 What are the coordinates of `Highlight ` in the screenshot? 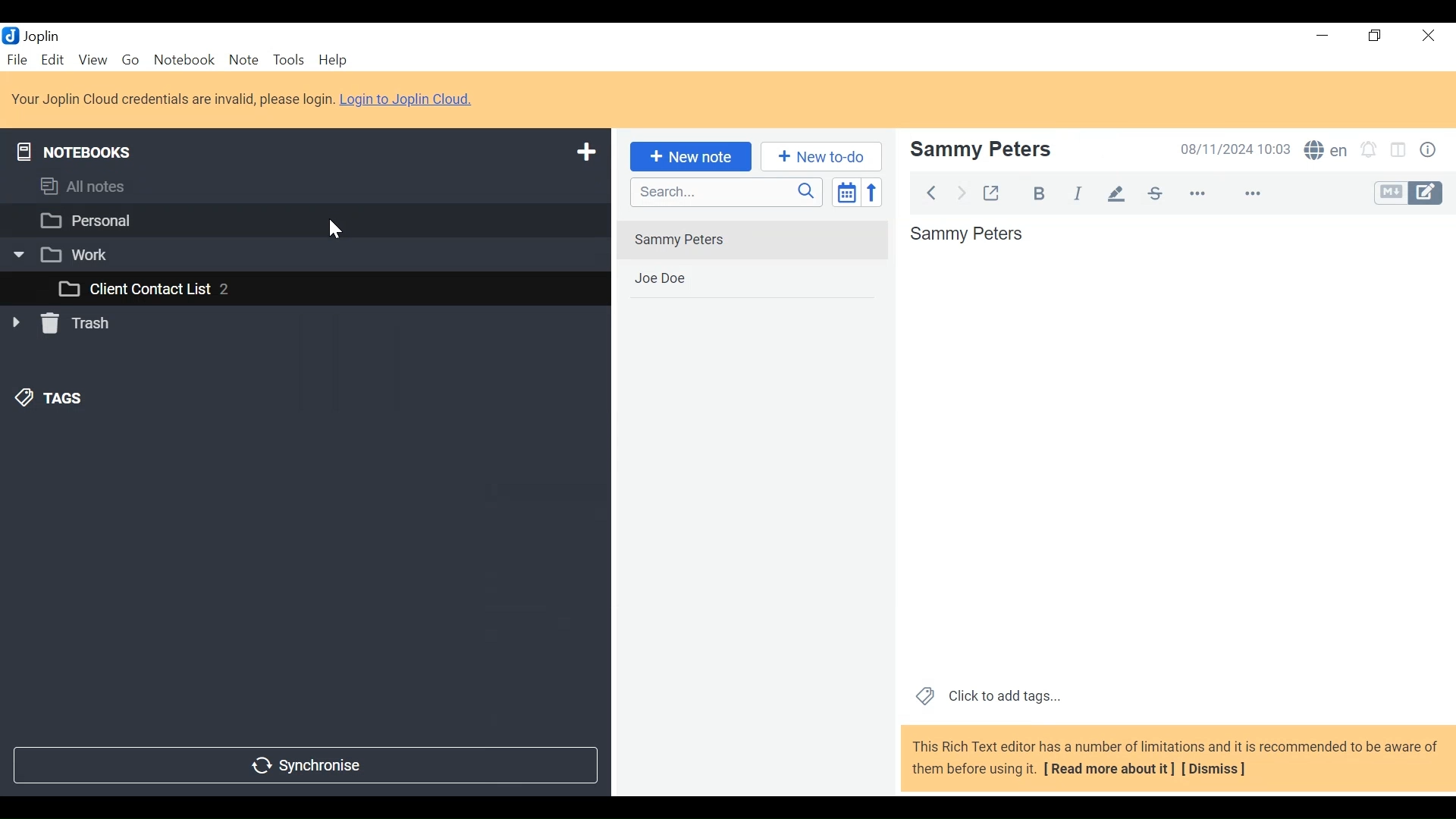 It's located at (1116, 194).